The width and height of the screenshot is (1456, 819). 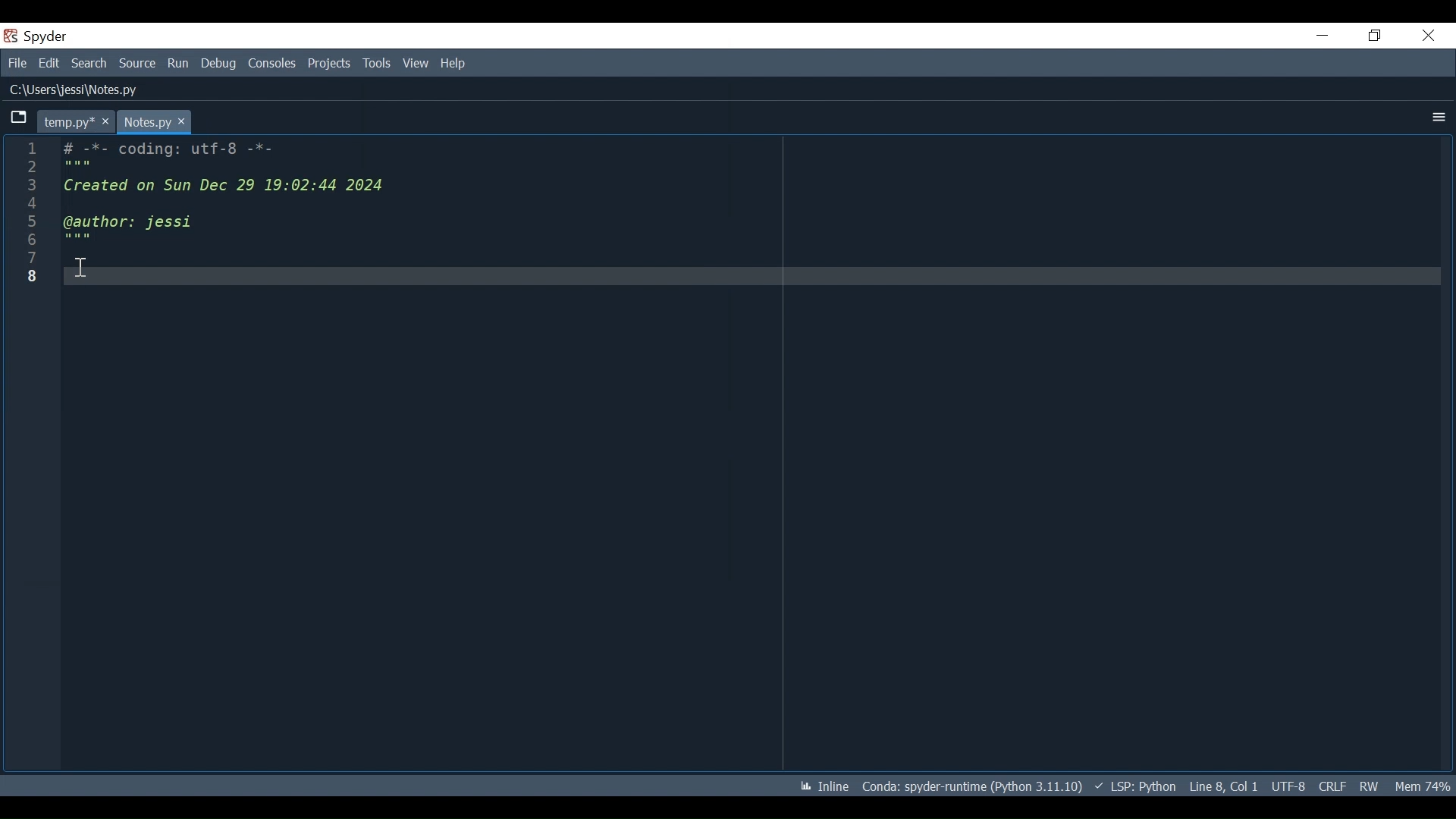 What do you see at coordinates (17, 64) in the screenshot?
I see `File` at bounding box center [17, 64].